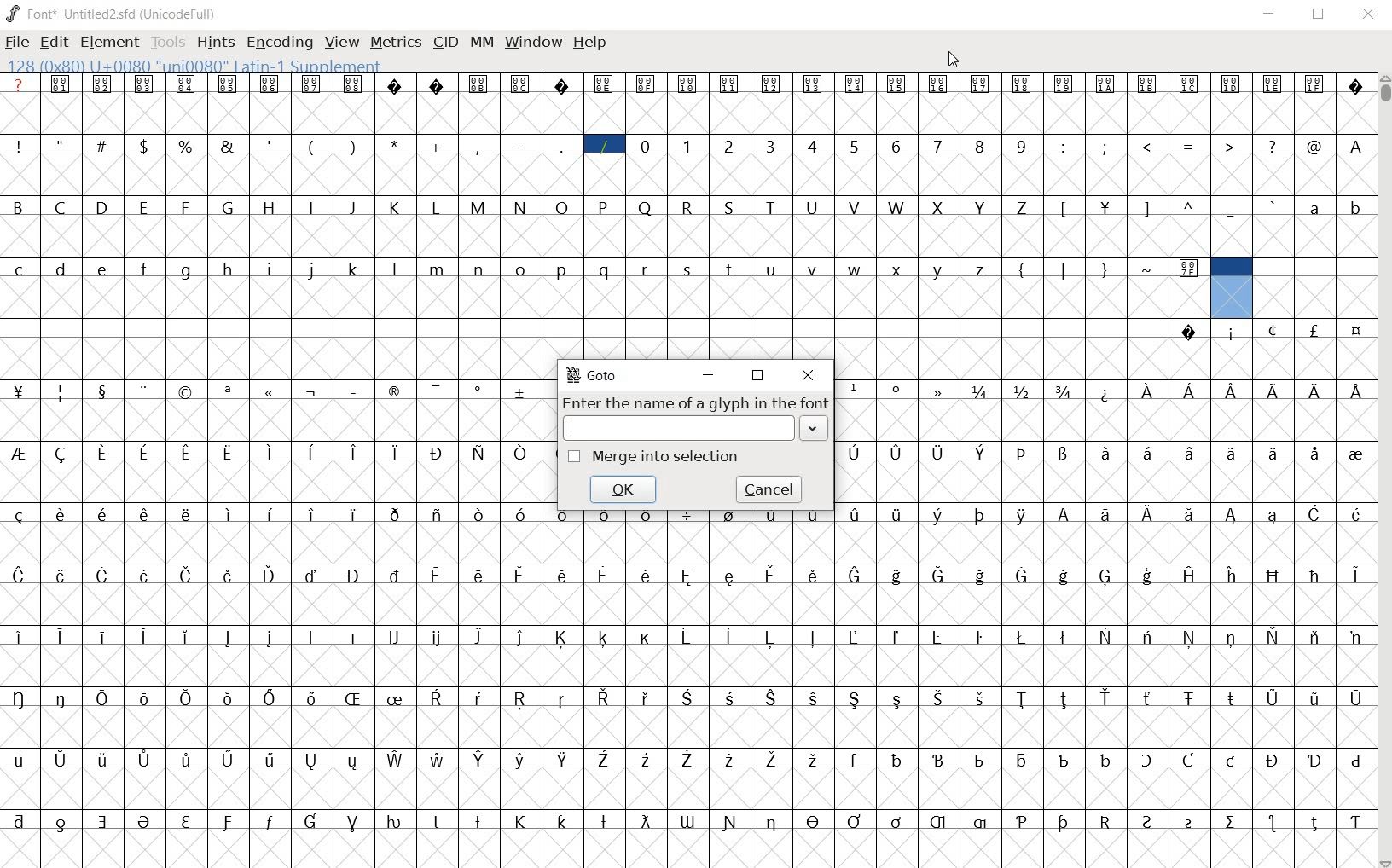 Image resolution: width=1392 pixels, height=868 pixels. Describe the element at coordinates (813, 269) in the screenshot. I see `v` at that location.